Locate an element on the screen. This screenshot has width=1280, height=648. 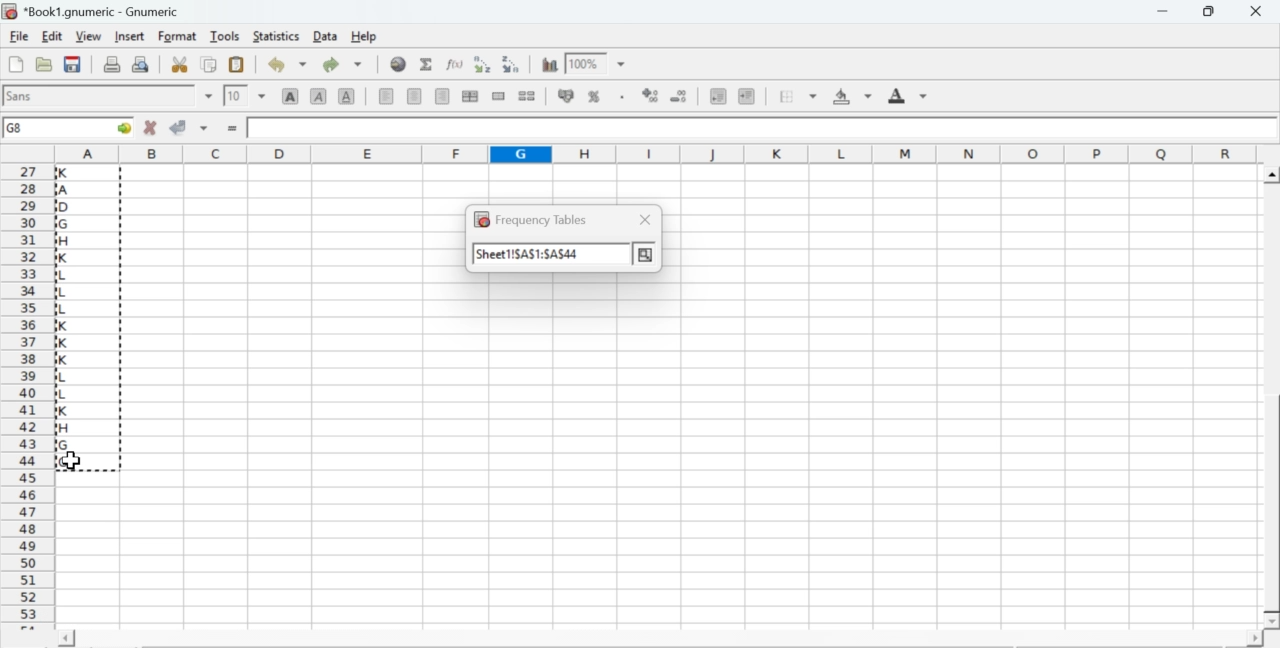
view is located at coordinates (88, 35).